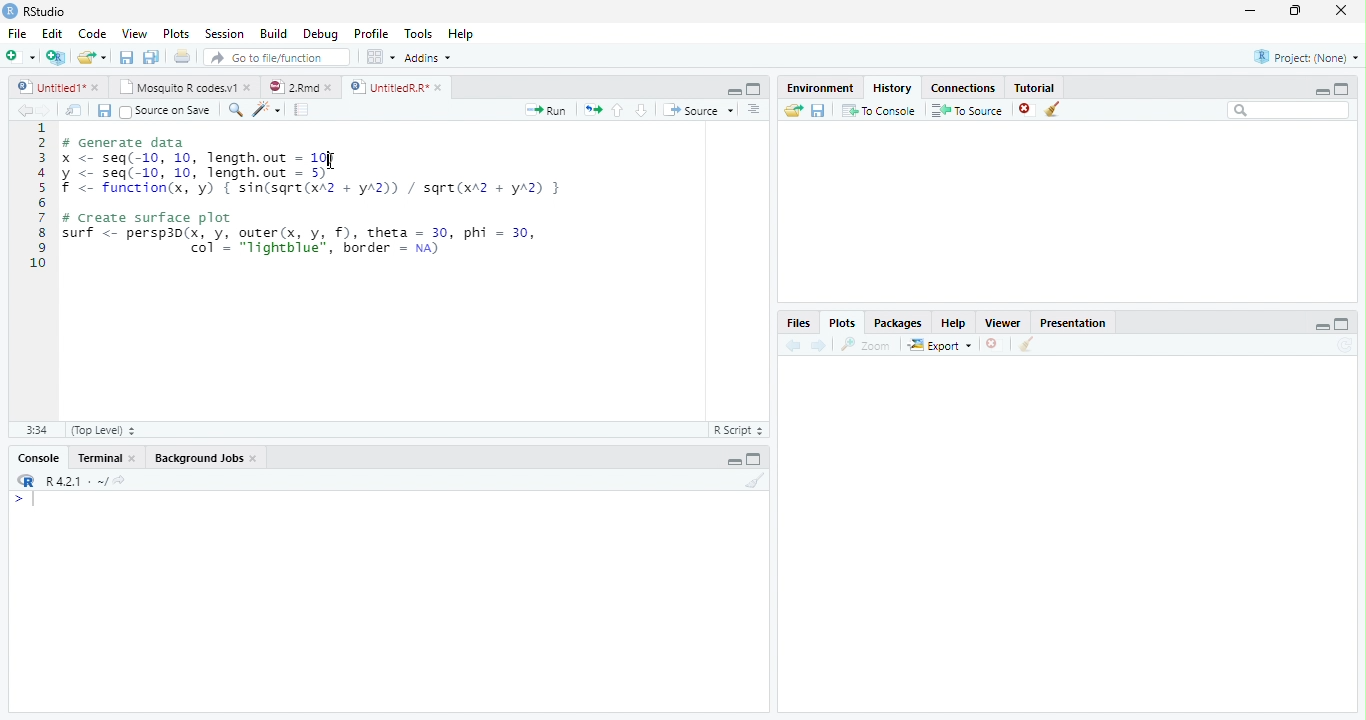 The image size is (1366, 720). What do you see at coordinates (617, 110) in the screenshot?
I see `Go to previous section/chunk` at bounding box center [617, 110].